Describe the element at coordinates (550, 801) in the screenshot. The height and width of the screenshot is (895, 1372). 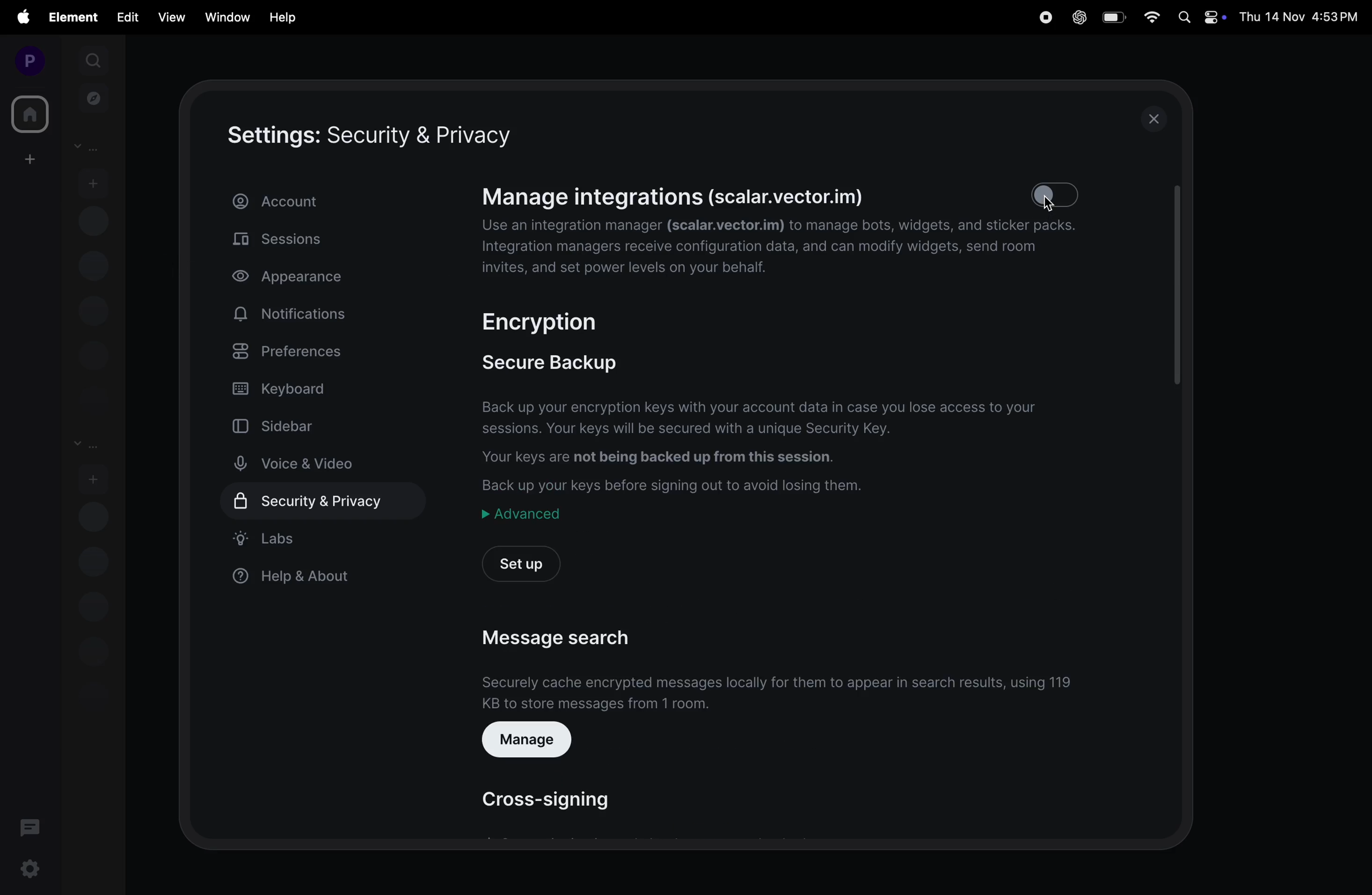
I see `cross signing` at that location.